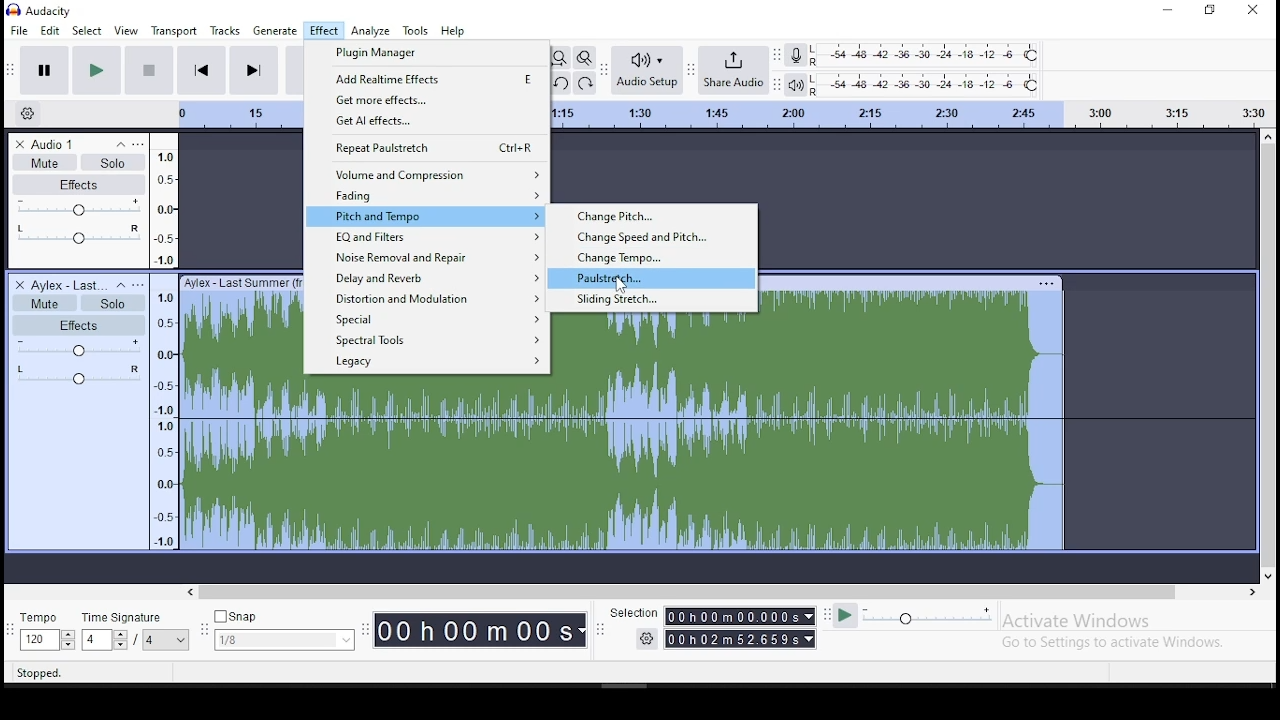 The width and height of the screenshot is (1280, 720). What do you see at coordinates (427, 174) in the screenshot?
I see `volume and compression` at bounding box center [427, 174].